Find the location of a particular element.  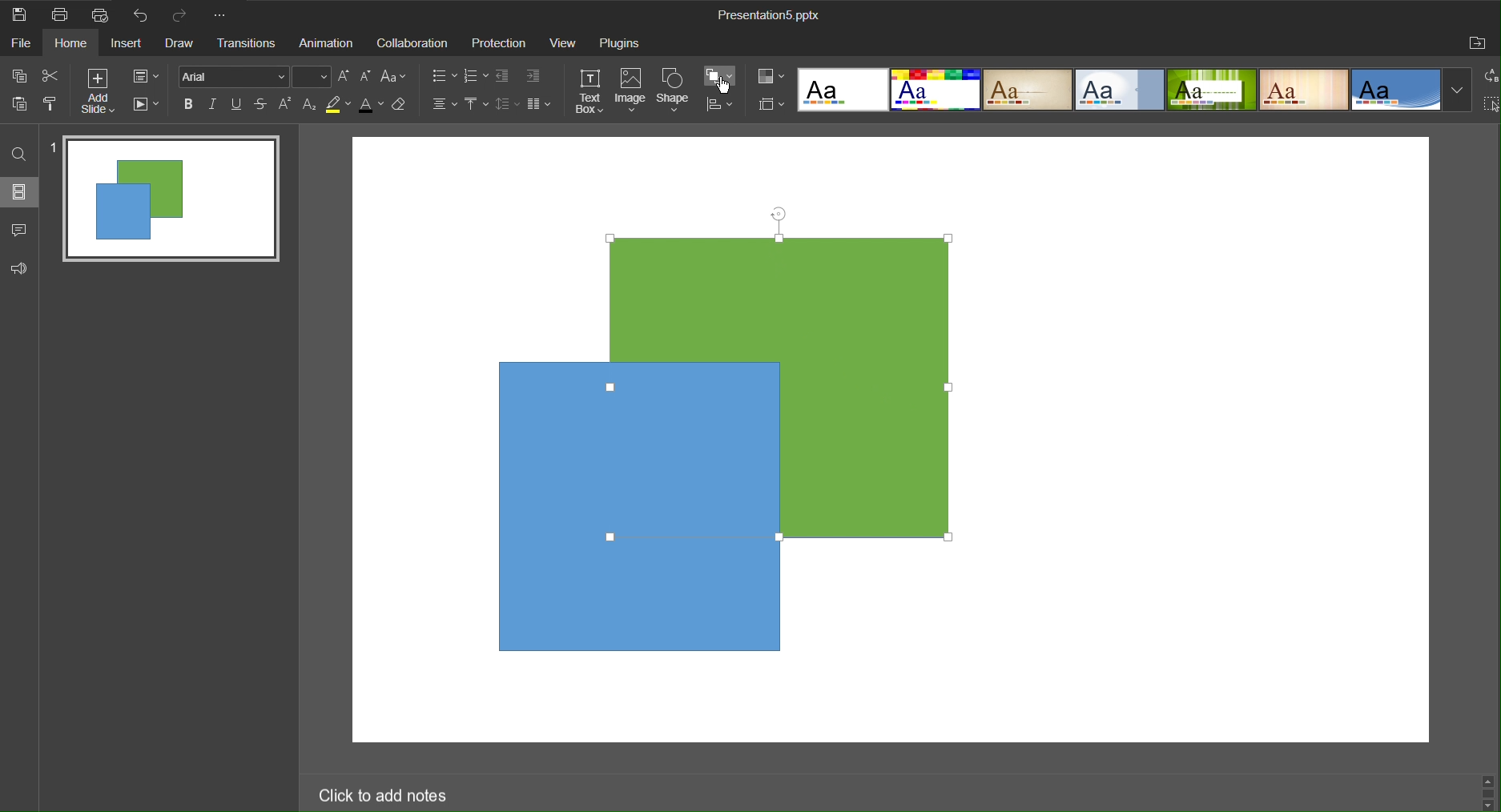

decrease Indent is located at coordinates (503, 76).